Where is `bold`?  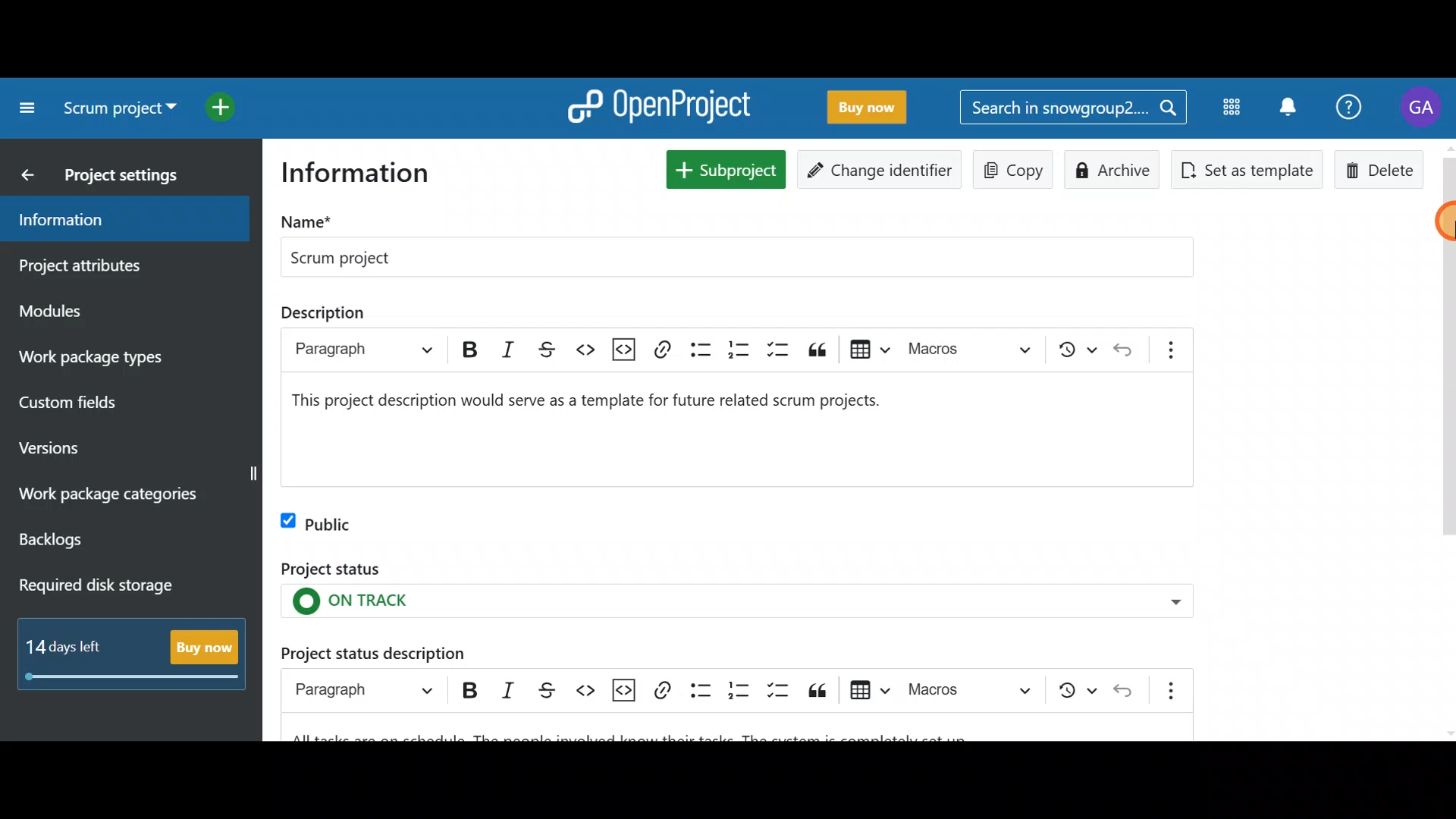 bold is located at coordinates (470, 349).